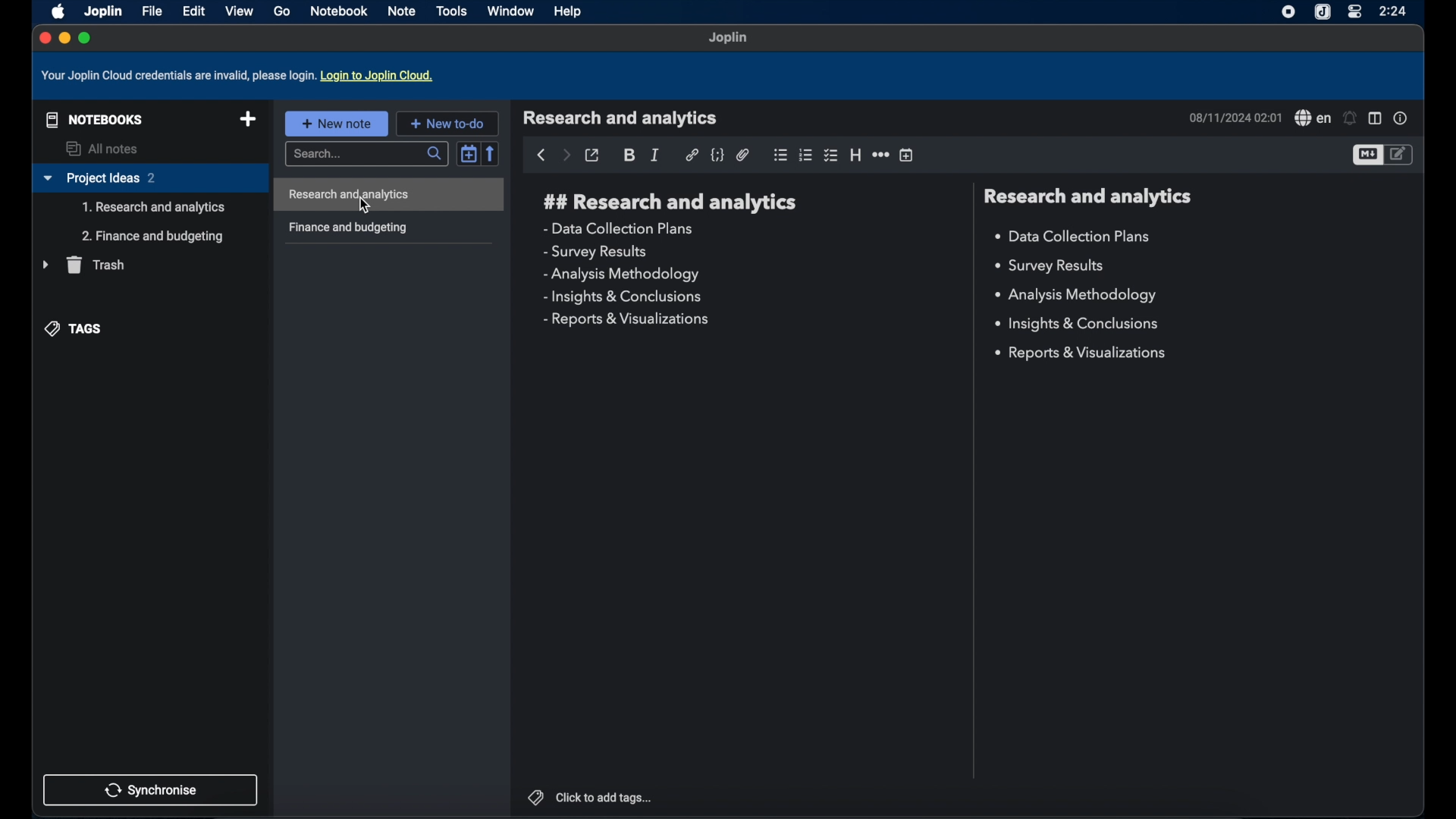 This screenshot has height=819, width=1456. What do you see at coordinates (620, 118) in the screenshot?
I see `research and analytics` at bounding box center [620, 118].